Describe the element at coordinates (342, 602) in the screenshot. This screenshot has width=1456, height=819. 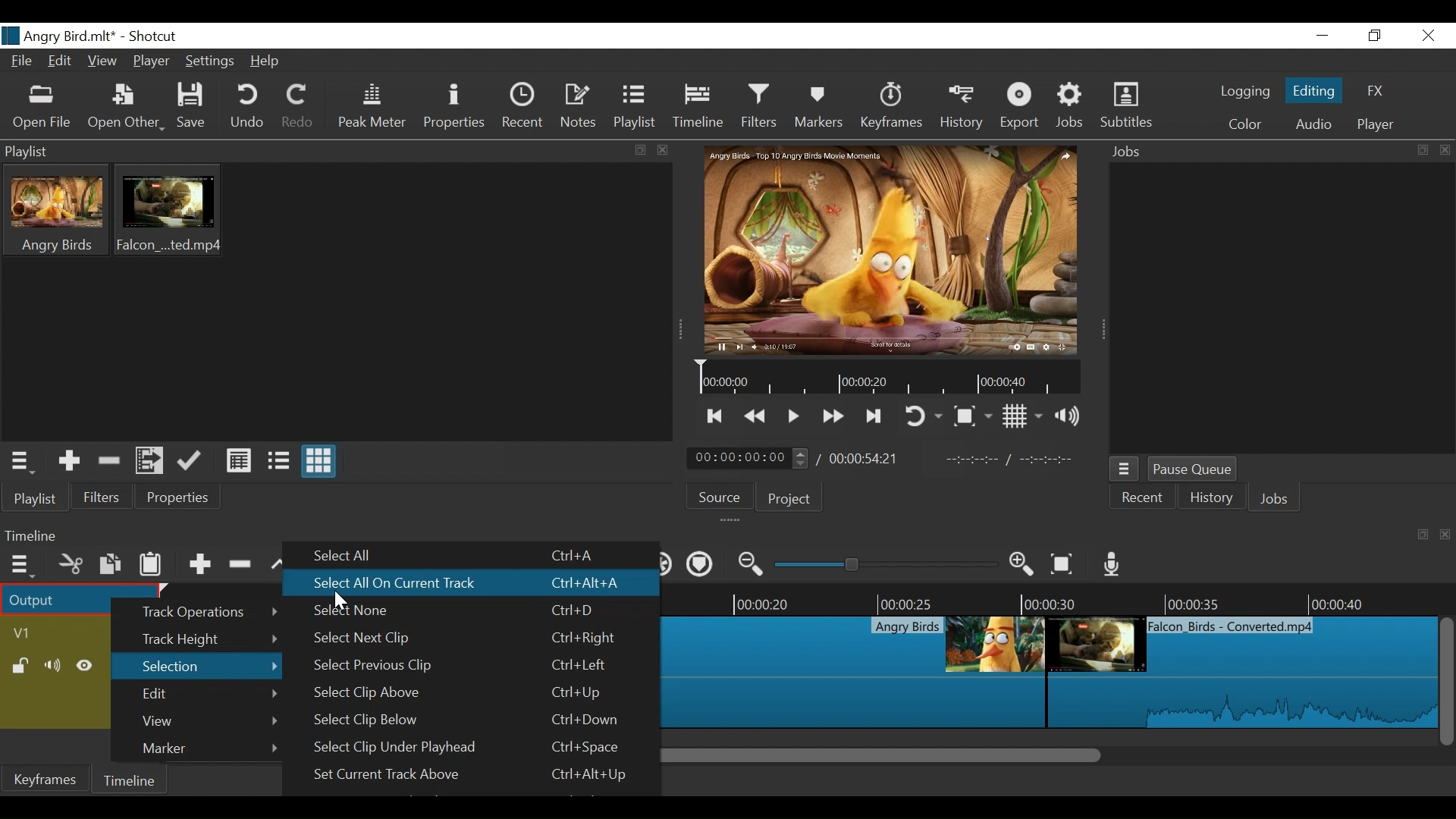
I see `Cursor` at that location.